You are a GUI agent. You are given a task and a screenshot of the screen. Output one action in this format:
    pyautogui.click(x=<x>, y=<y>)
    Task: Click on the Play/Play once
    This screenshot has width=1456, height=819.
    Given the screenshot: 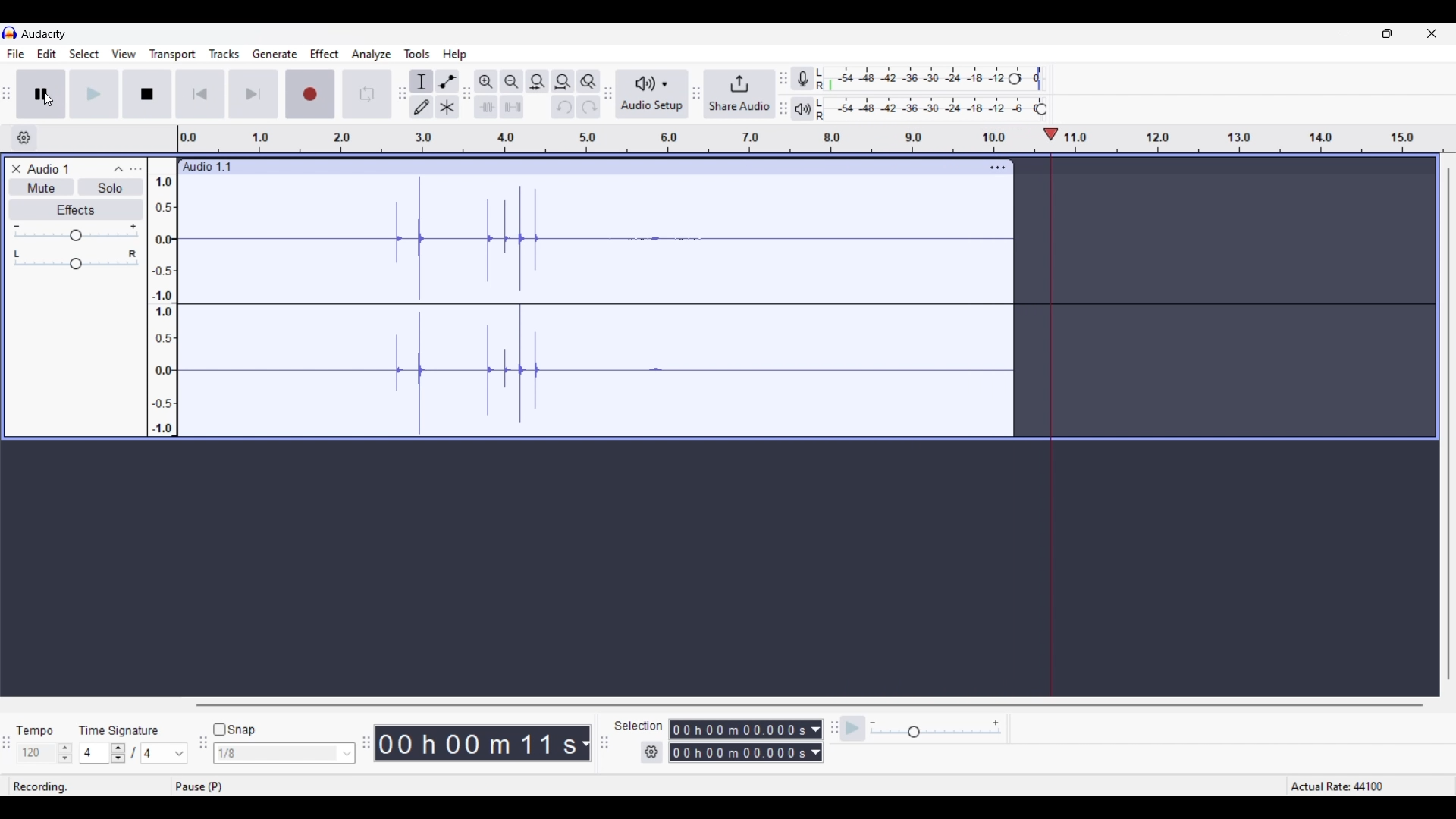 What is the action you would take?
    pyautogui.click(x=93, y=94)
    